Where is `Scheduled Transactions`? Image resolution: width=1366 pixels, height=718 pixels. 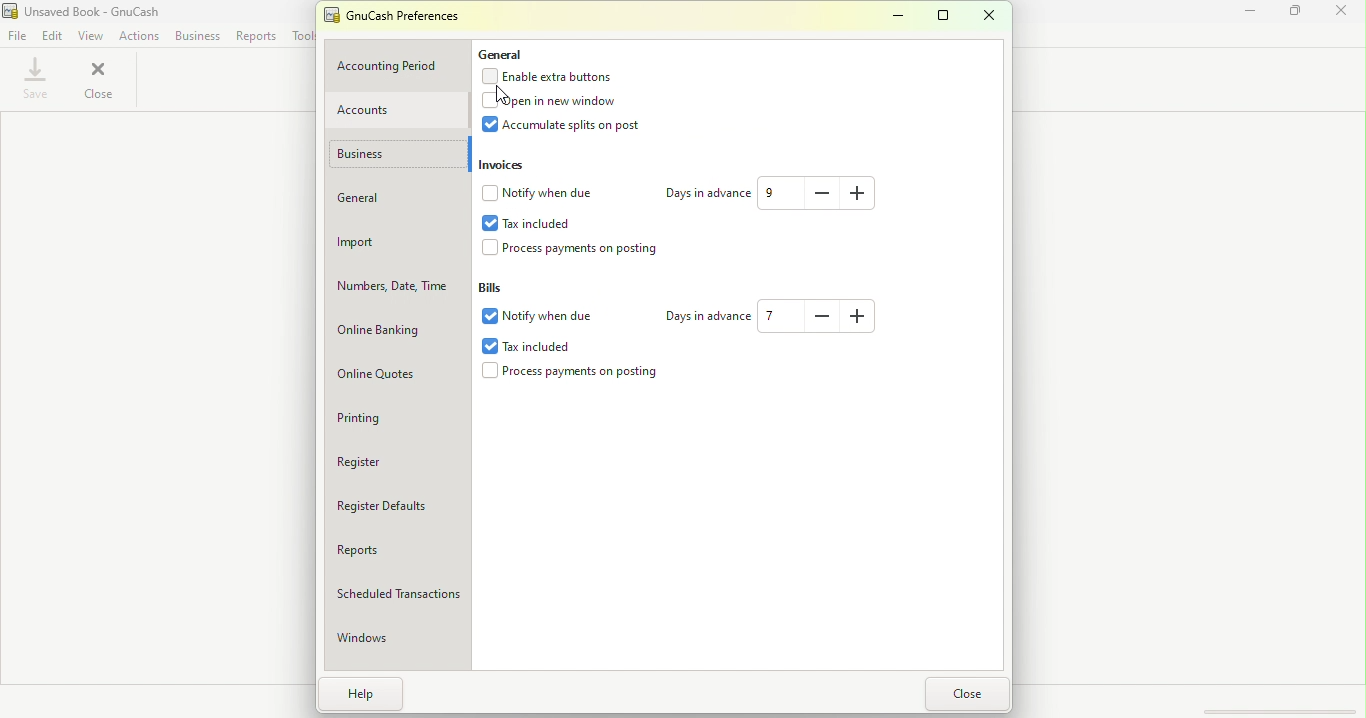
Scheduled Transactions is located at coordinates (399, 588).